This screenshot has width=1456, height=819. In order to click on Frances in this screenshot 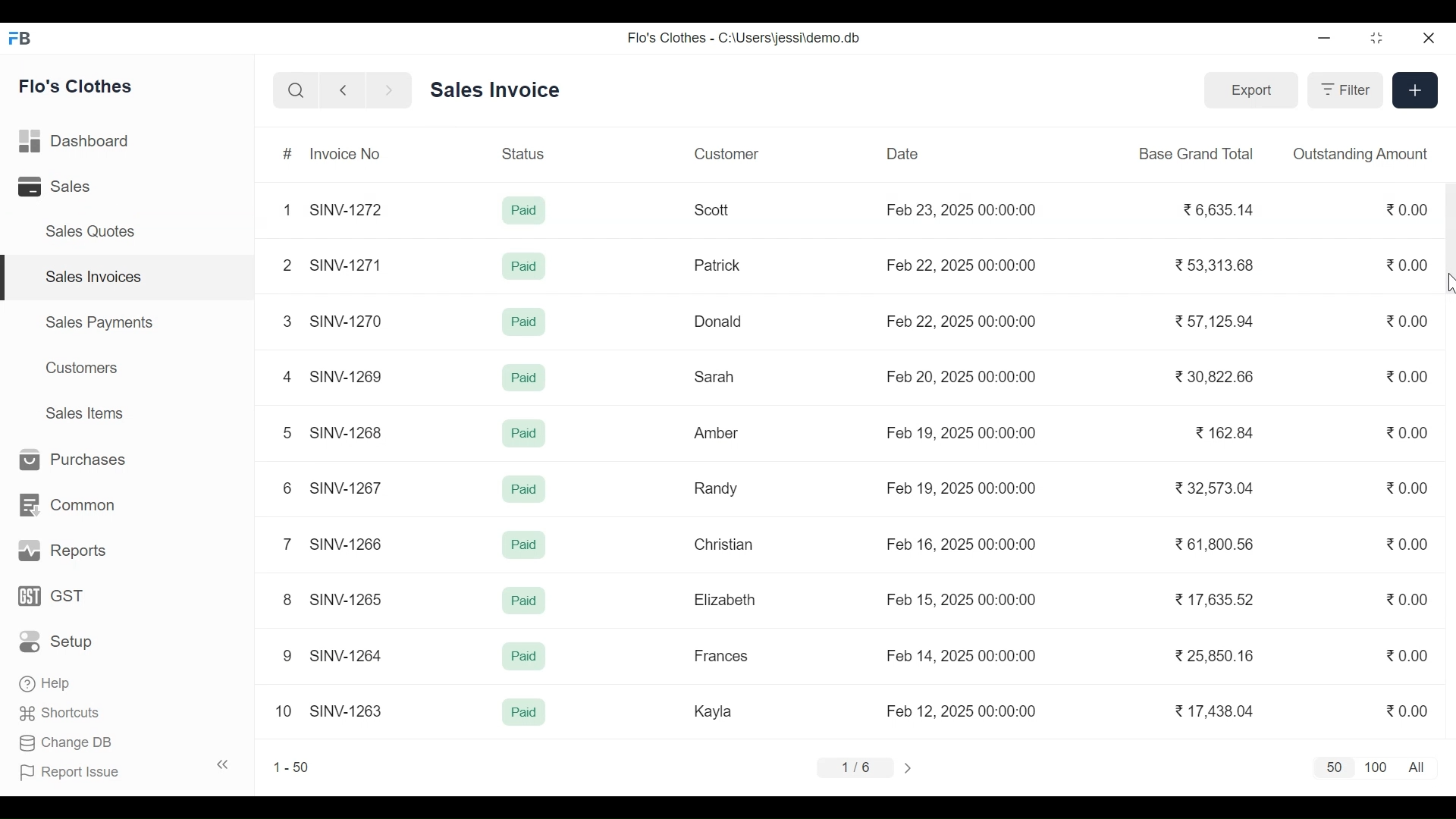, I will do `click(722, 655)`.